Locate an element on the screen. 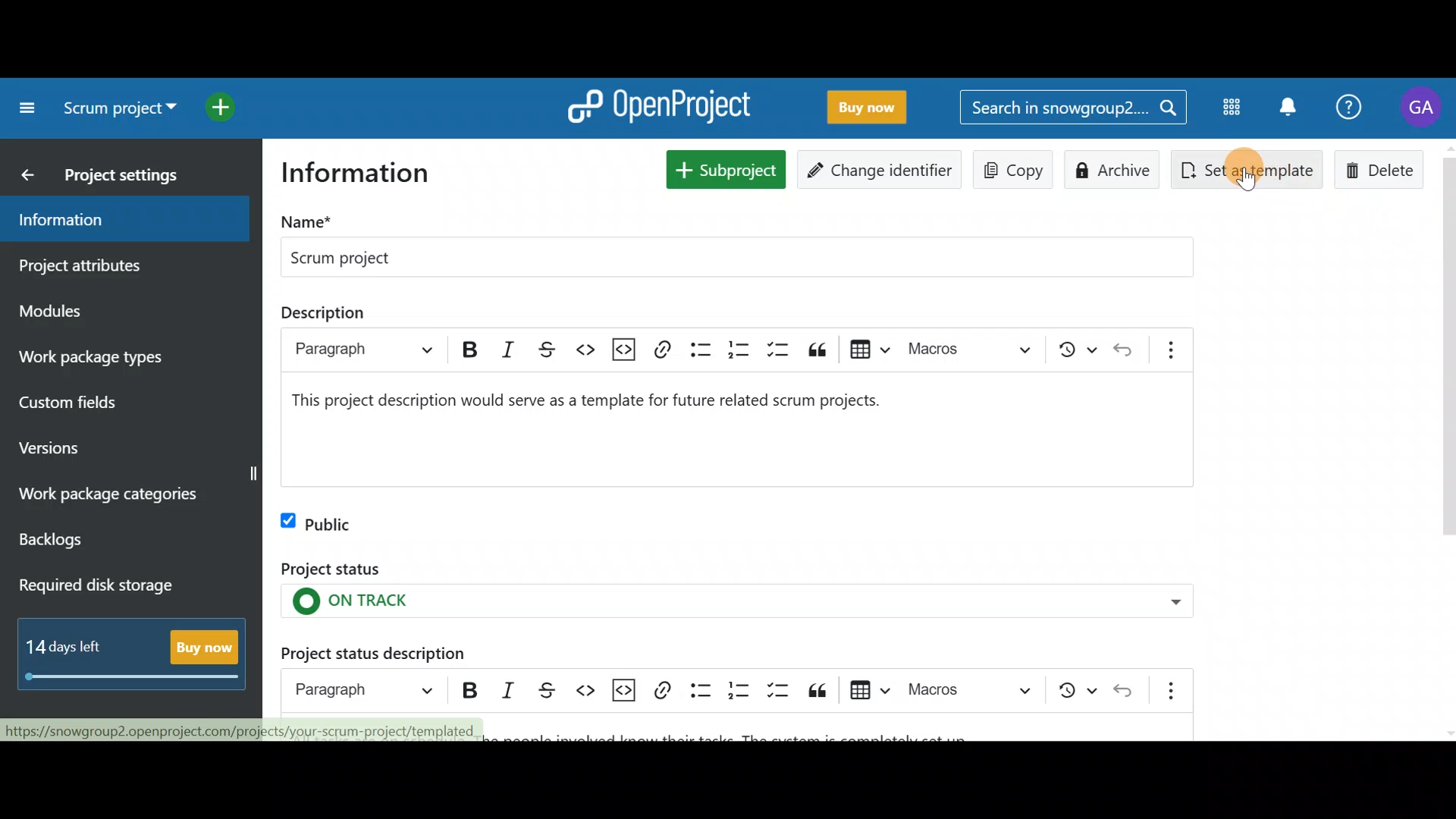 The width and height of the screenshot is (1456, 819). bold is located at coordinates (470, 349).